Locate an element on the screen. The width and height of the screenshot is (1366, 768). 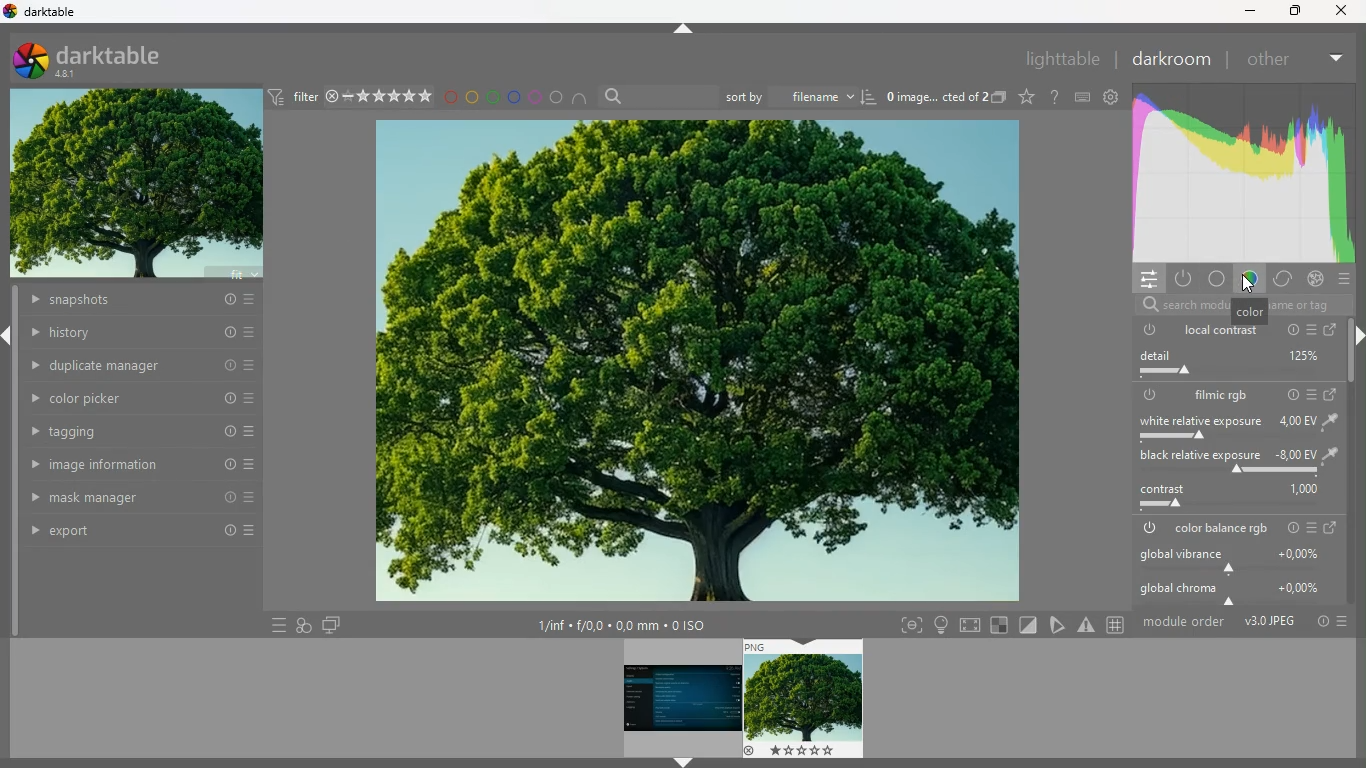
global vibrance is located at coordinates (1235, 559).